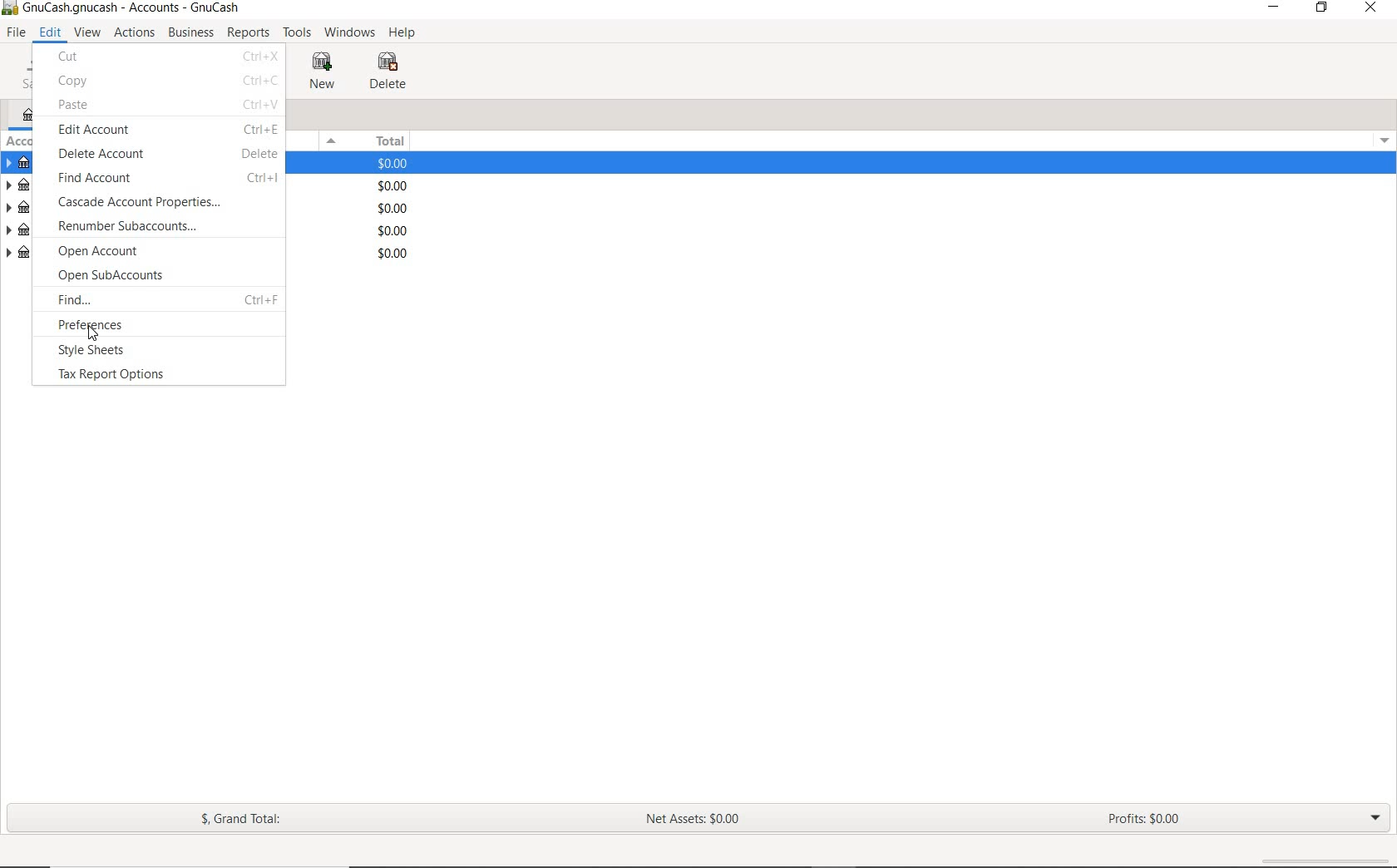 This screenshot has height=868, width=1397. What do you see at coordinates (127, 226) in the screenshot?
I see `RENUMBER SUBACCOUNTS` at bounding box center [127, 226].